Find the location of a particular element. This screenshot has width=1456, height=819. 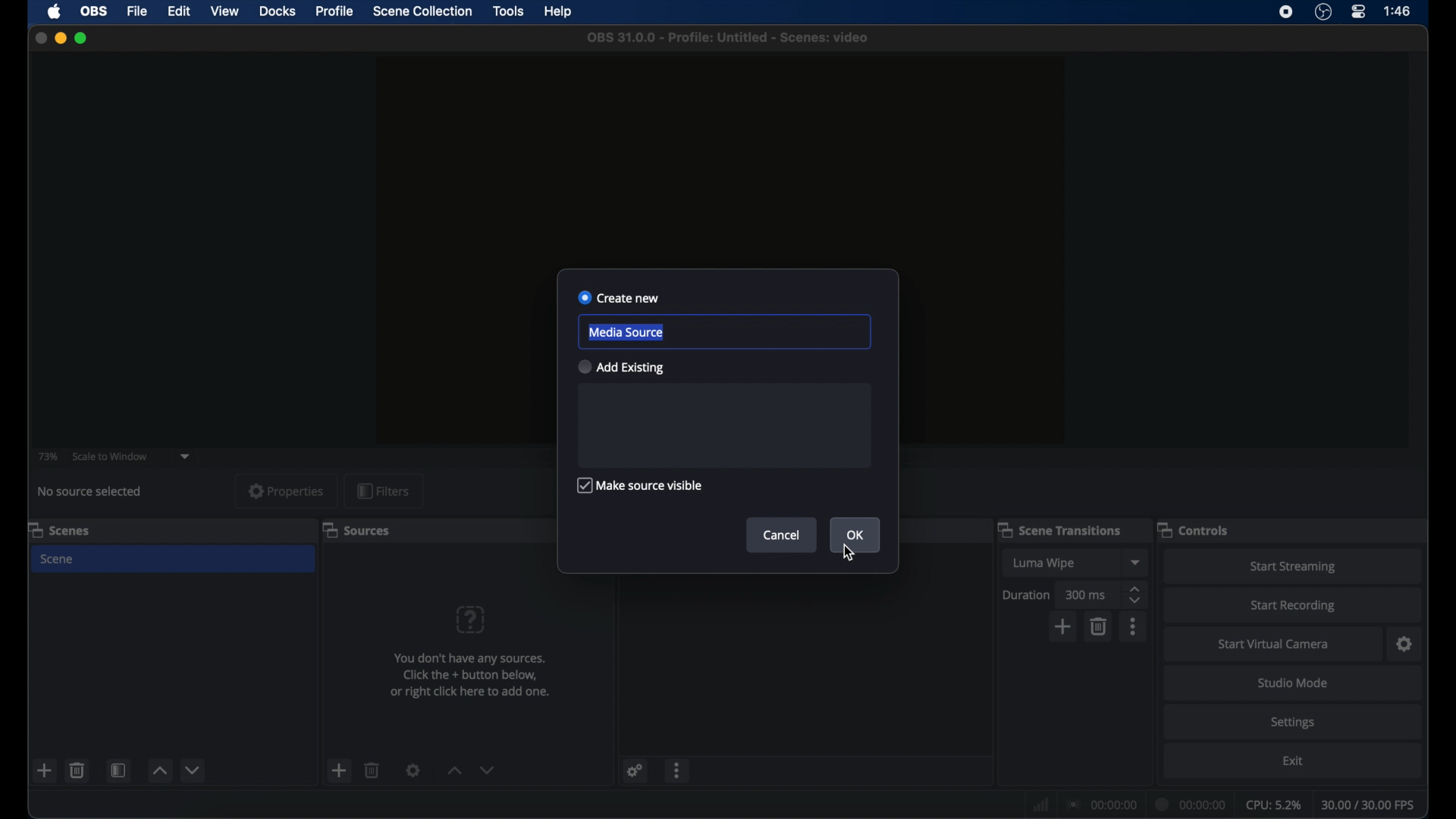

add is located at coordinates (1063, 626).